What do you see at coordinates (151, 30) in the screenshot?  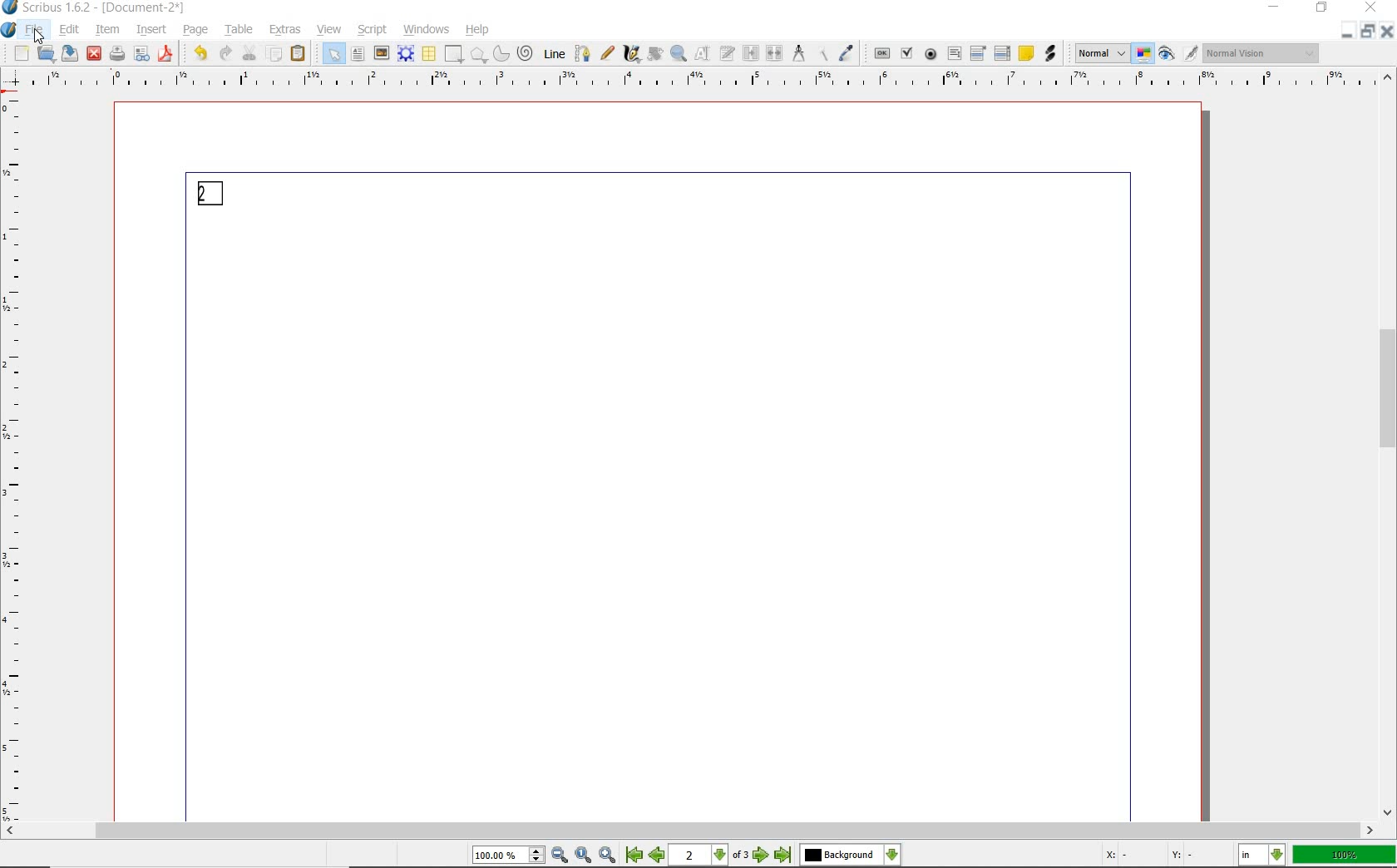 I see `insert` at bounding box center [151, 30].